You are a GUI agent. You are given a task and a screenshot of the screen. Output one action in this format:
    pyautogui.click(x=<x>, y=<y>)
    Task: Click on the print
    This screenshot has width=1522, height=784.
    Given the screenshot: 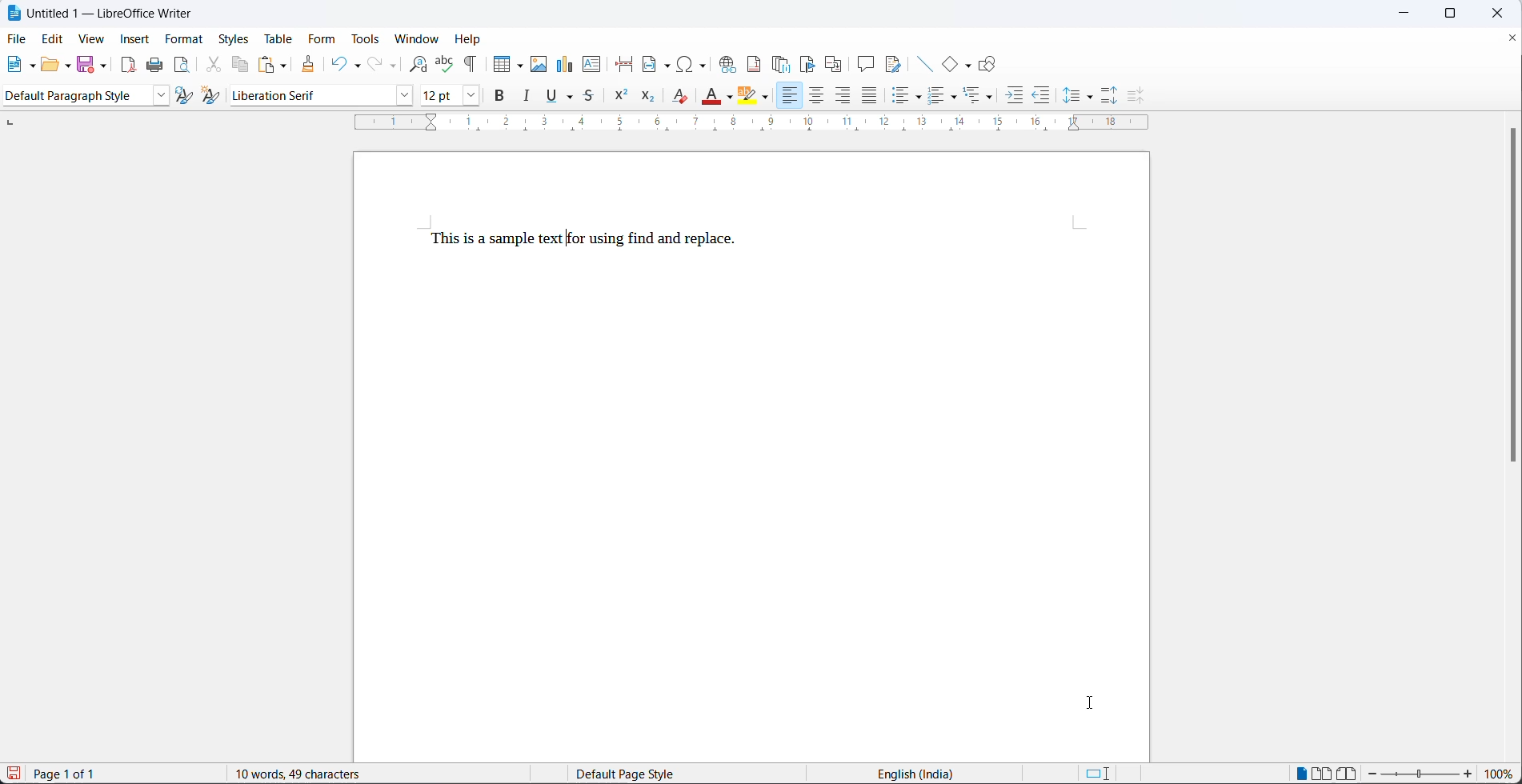 What is the action you would take?
    pyautogui.click(x=158, y=66)
    